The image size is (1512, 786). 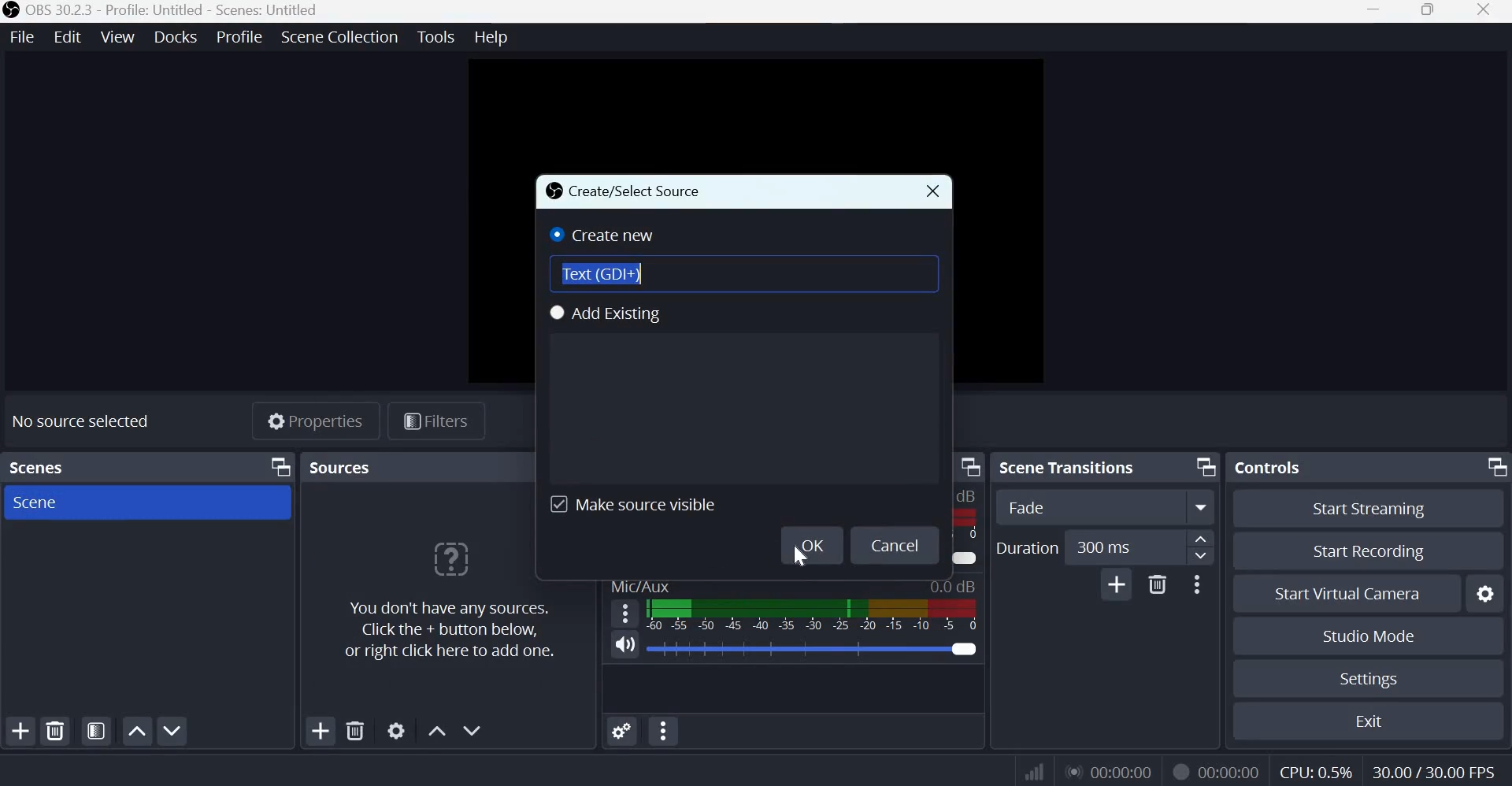 I want to click on Close, so click(x=1488, y=12).